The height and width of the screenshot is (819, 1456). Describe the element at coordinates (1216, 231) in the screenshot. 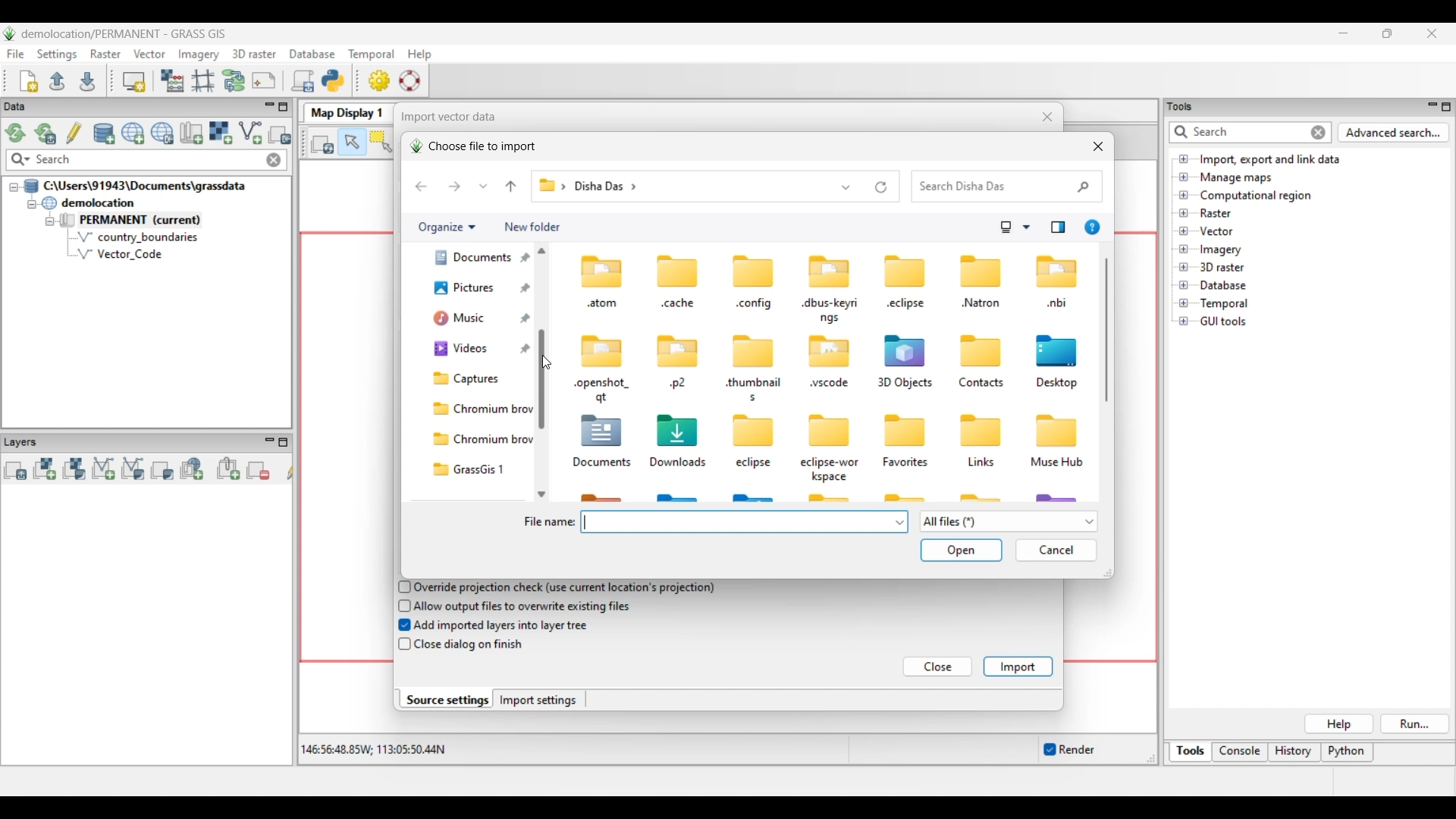

I see `Double click to see files under Vector` at that location.